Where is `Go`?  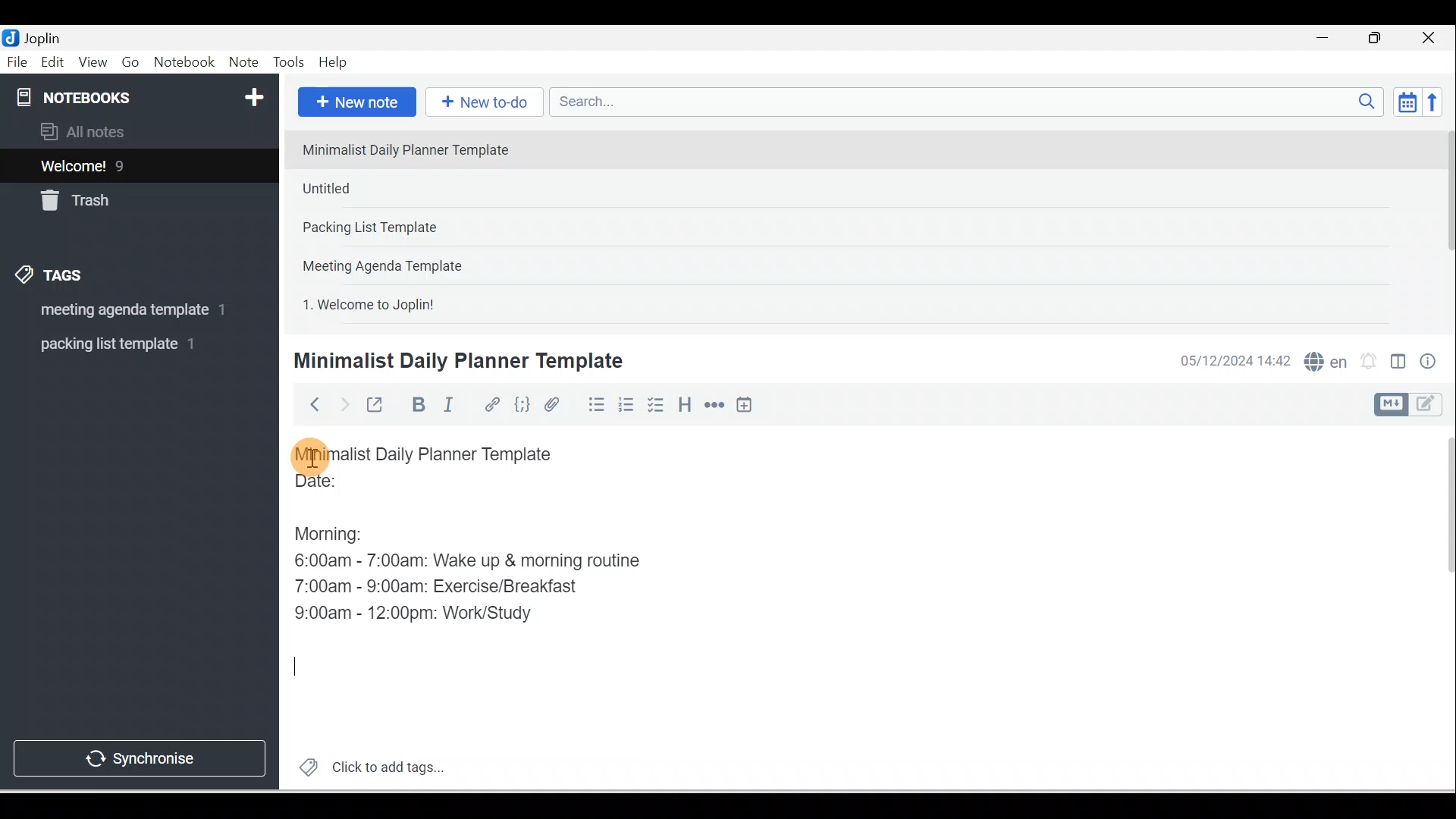 Go is located at coordinates (133, 63).